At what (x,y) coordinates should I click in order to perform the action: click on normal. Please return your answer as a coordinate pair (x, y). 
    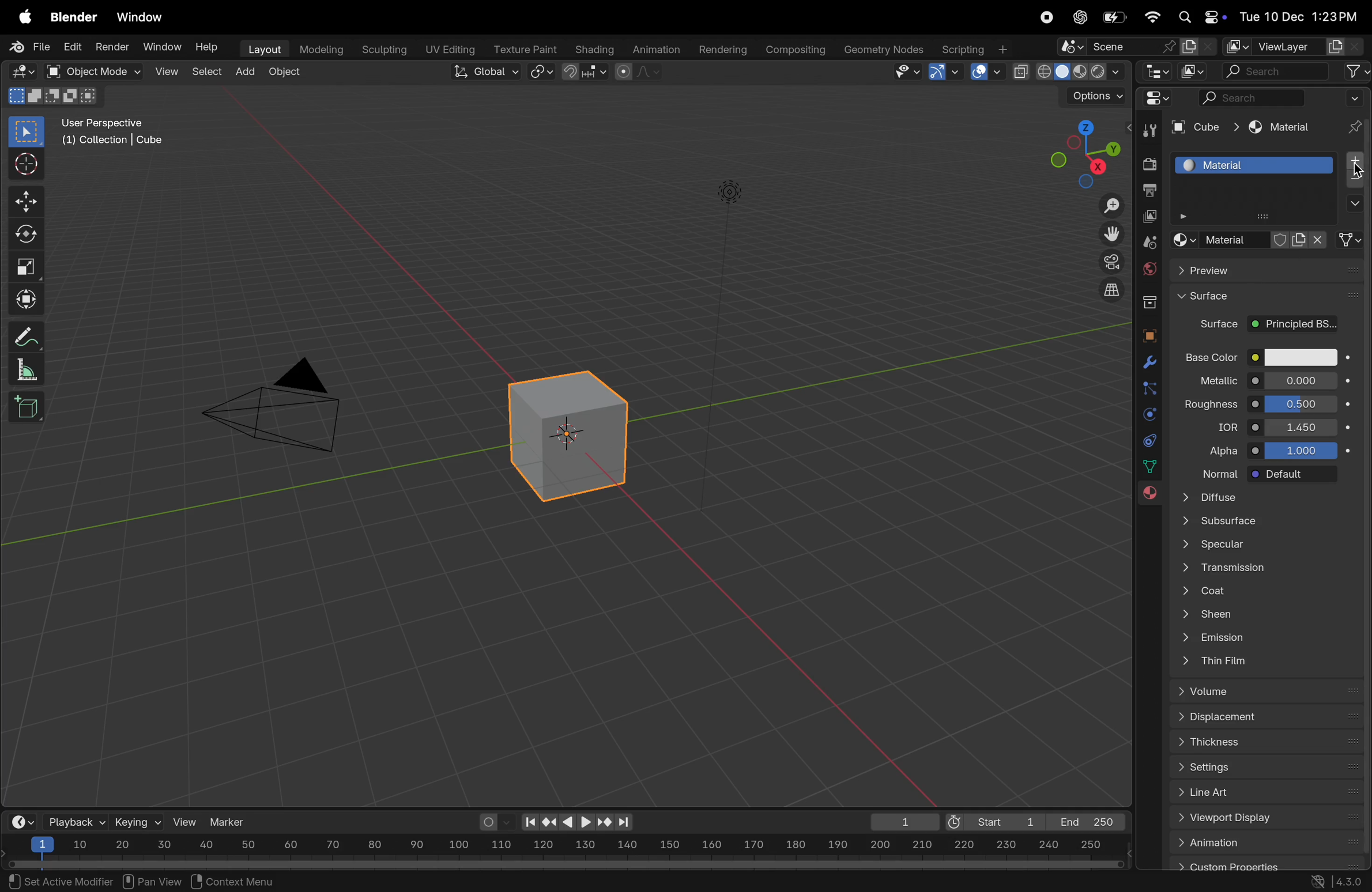
    Looking at the image, I should click on (1218, 477).